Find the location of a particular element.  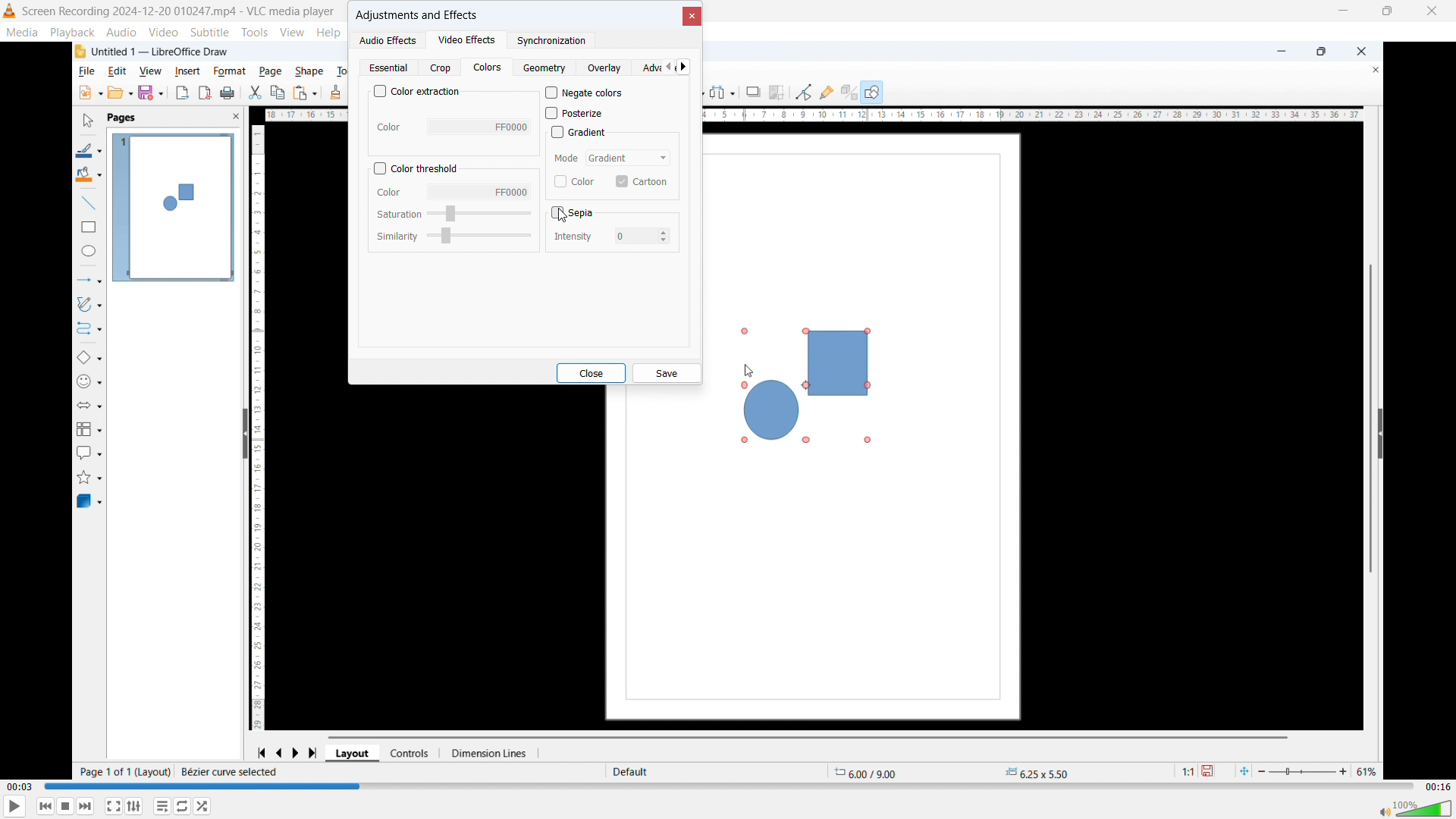

Time elapsed is located at coordinates (21, 787).